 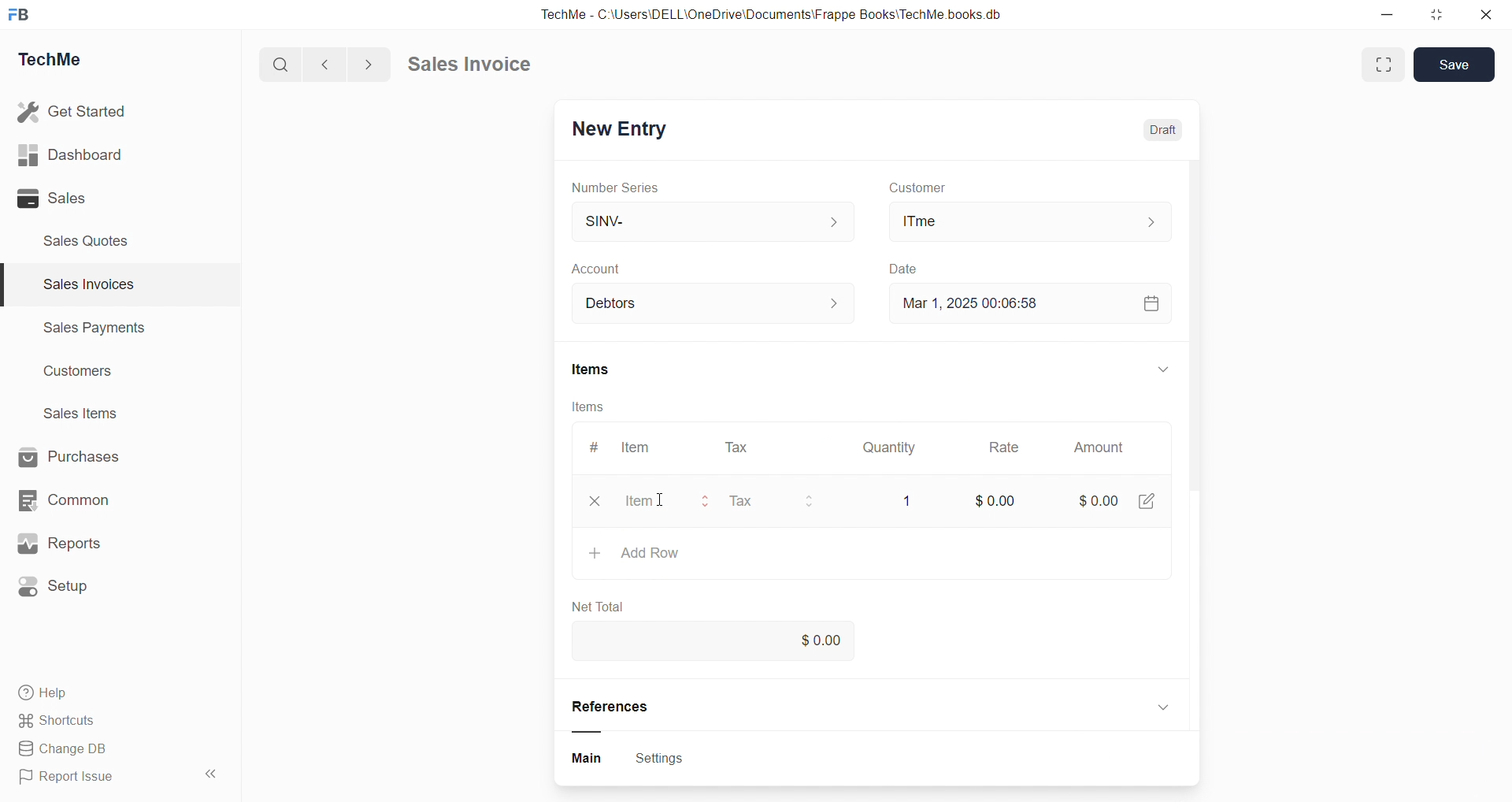 What do you see at coordinates (669, 759) in the screenshot?
I see `Settings` at bounding box center [669, 759].